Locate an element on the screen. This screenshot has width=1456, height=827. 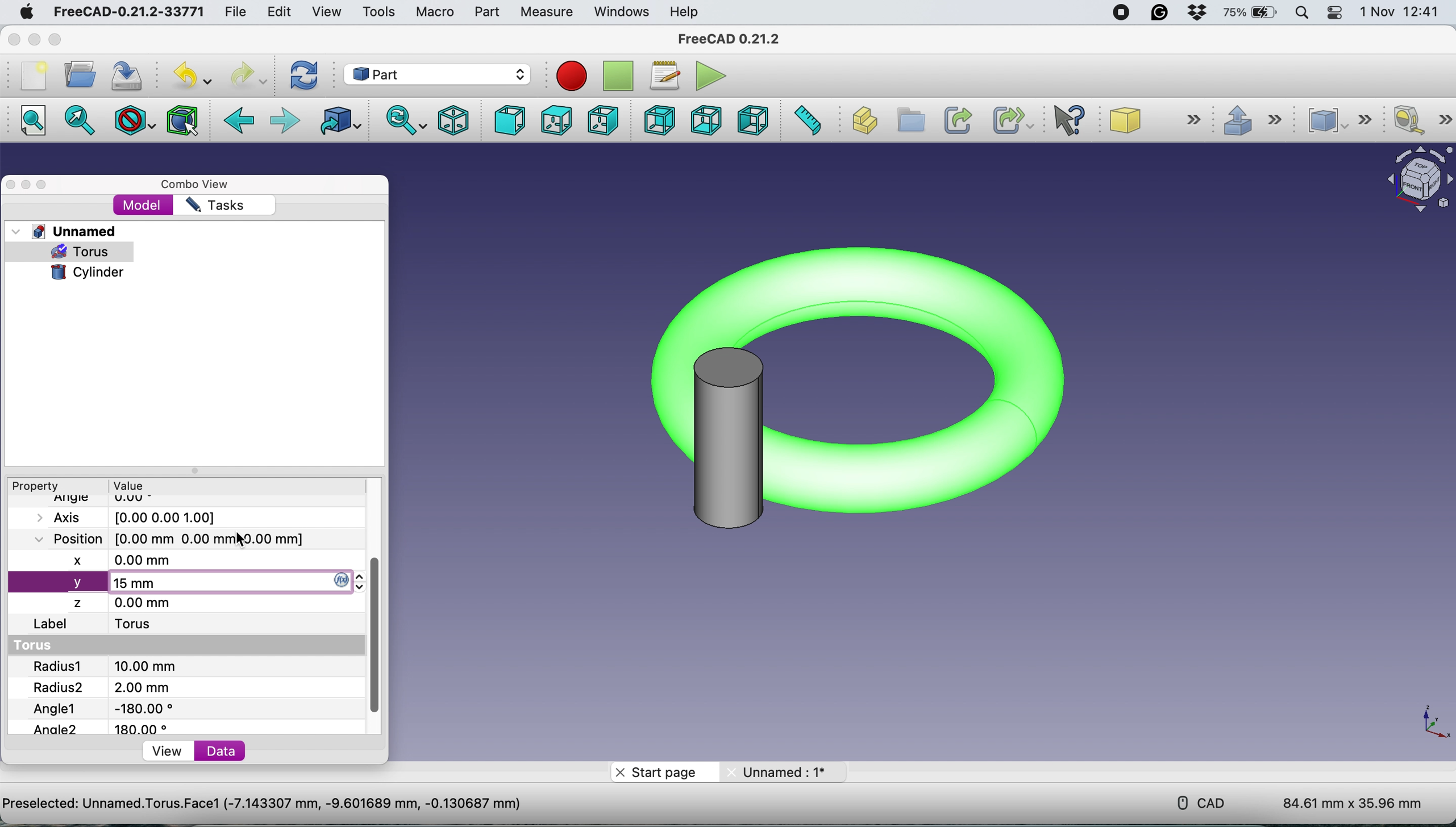
isometric is located at coordinates (456, 122).